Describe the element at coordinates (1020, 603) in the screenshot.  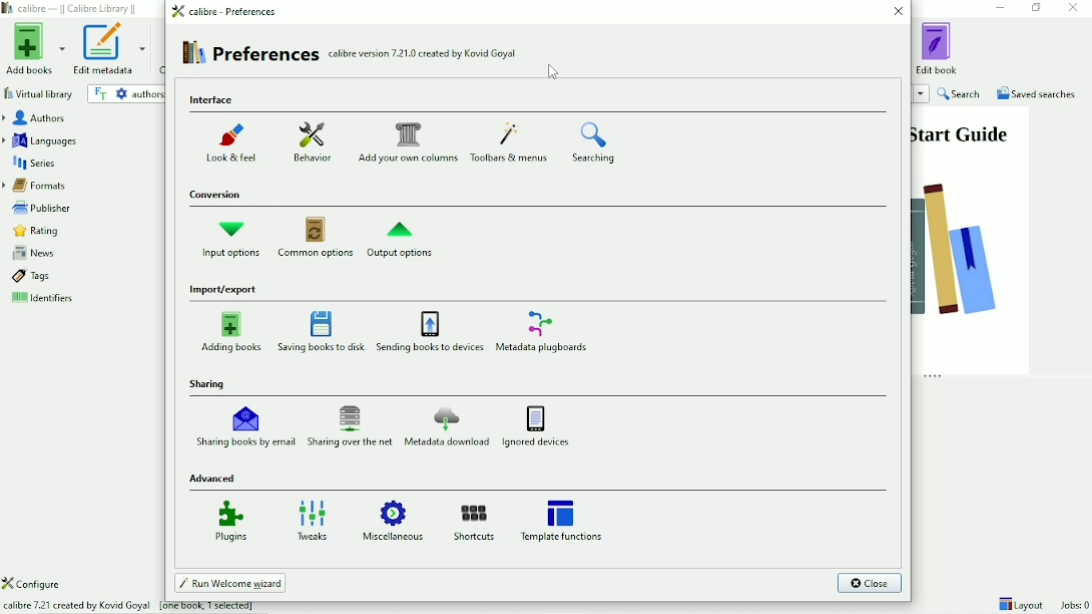
I see `` at that location.